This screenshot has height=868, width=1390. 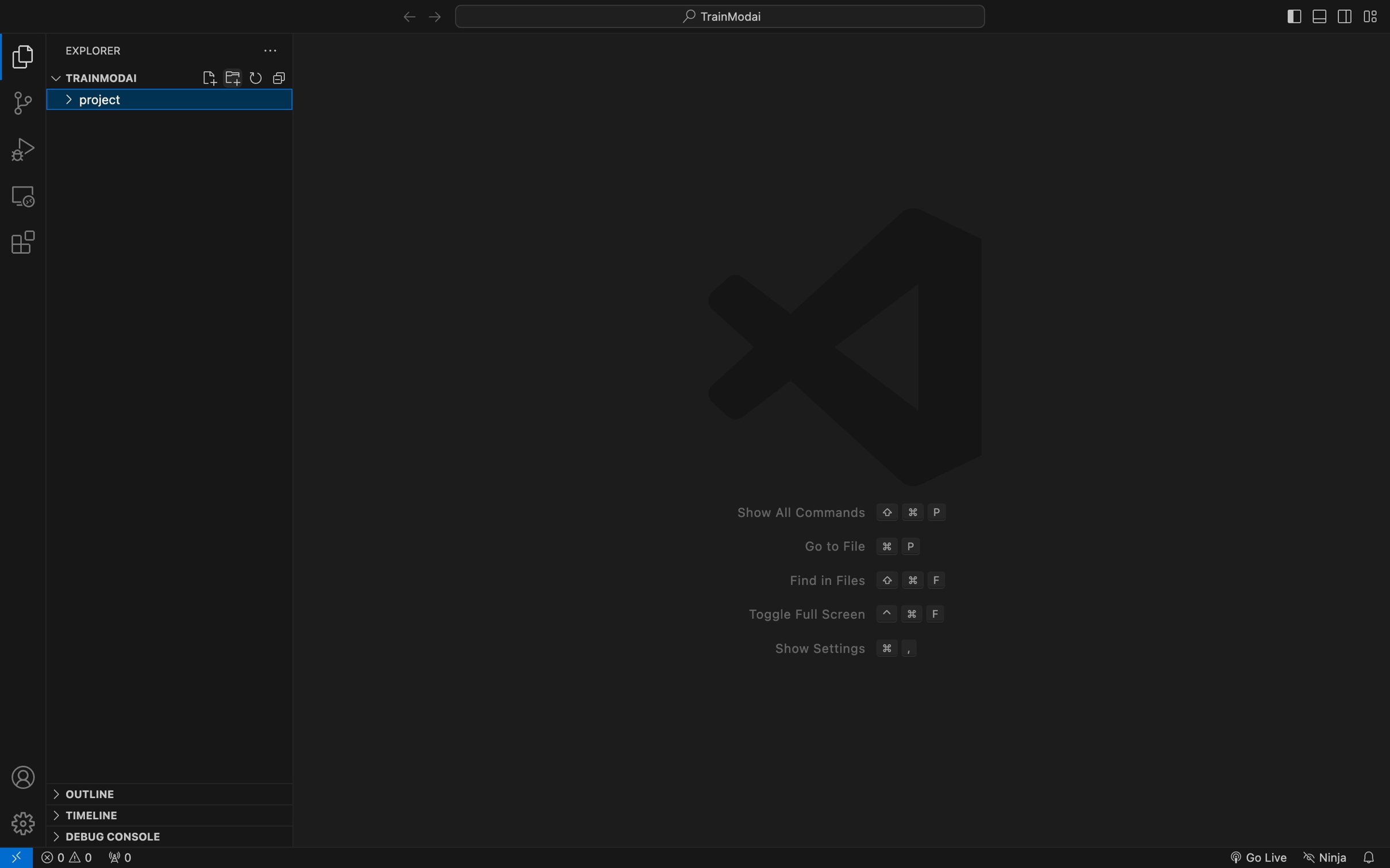 What do you see at coordinates (109, 836) in the screenshot?
I see `debug console` at bounding box center [109, 836].